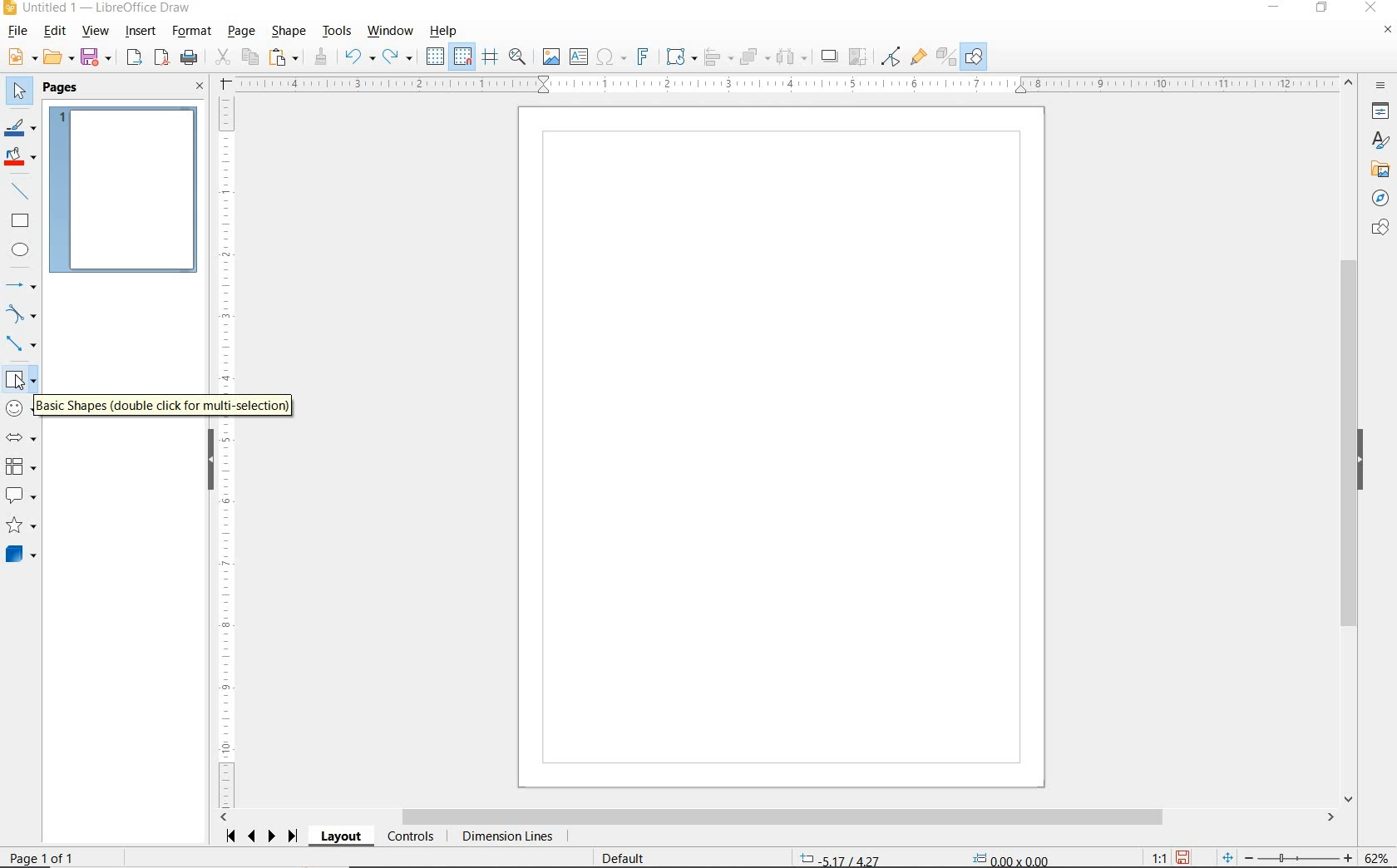 This screenshot has width=1397, height=868. What do you see at coordinates (22, 249) in the screenshot?
I see `ELLIPSE` at bounding box center [22, 249].